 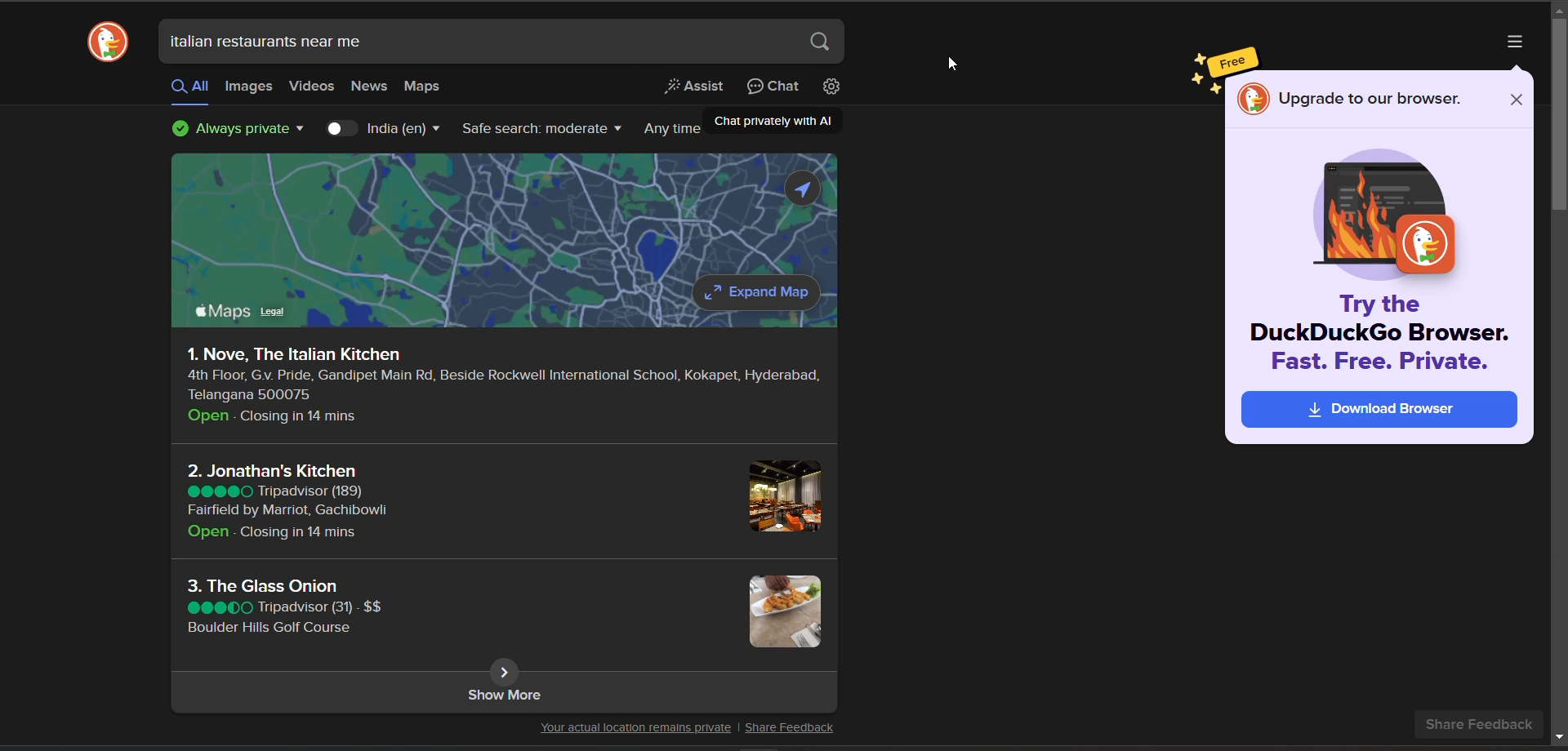 I want to click on chat privately with AI, so click(x=774, y=87).